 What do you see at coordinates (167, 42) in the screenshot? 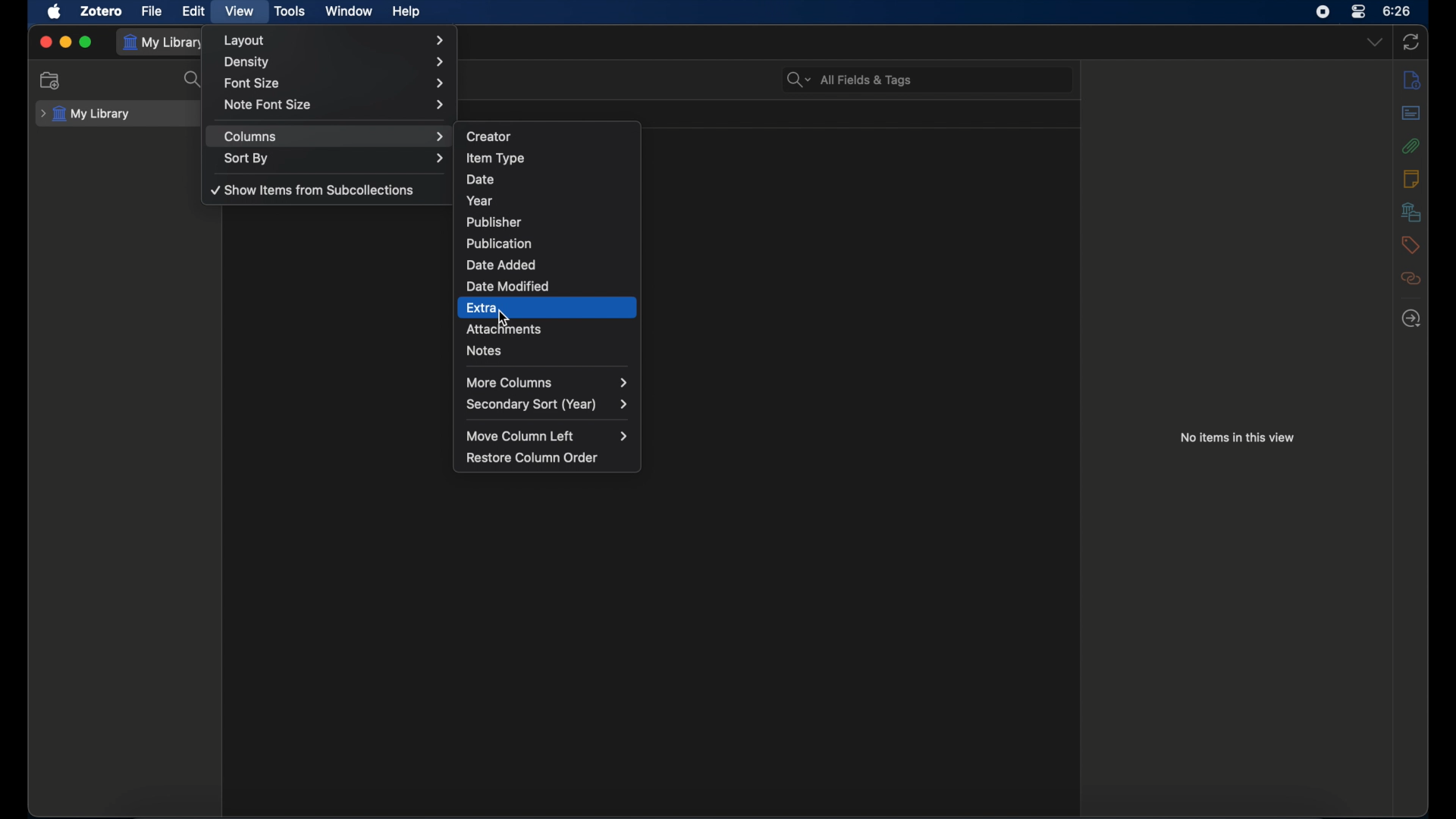
I see `my library` at bounding box center [167, 42].